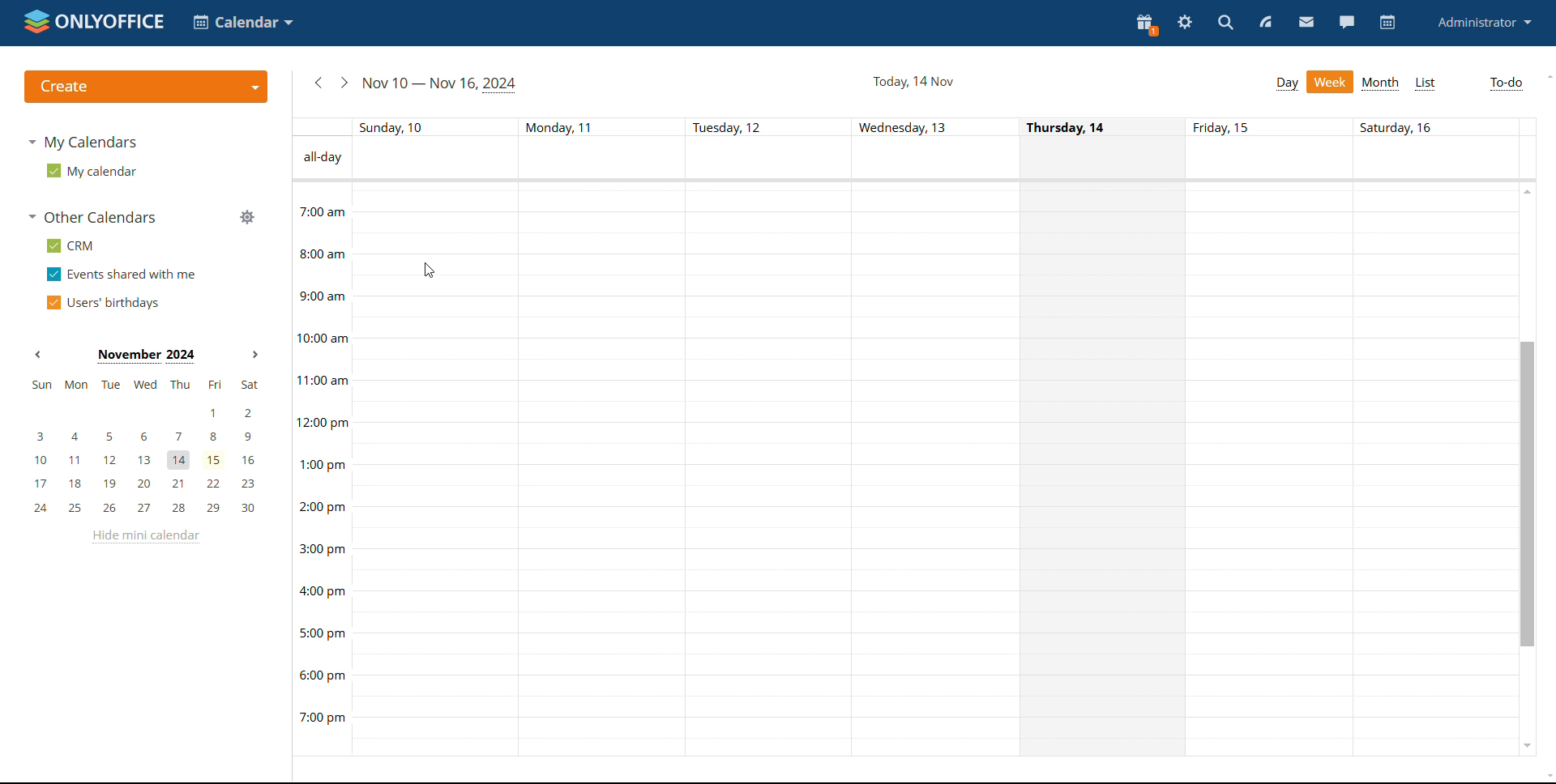 Image resolution: width=1556 pixels, height=784 pixels. Describe the element at coordinates (1346, 21) in the screenshot. I see `chat` at that location.